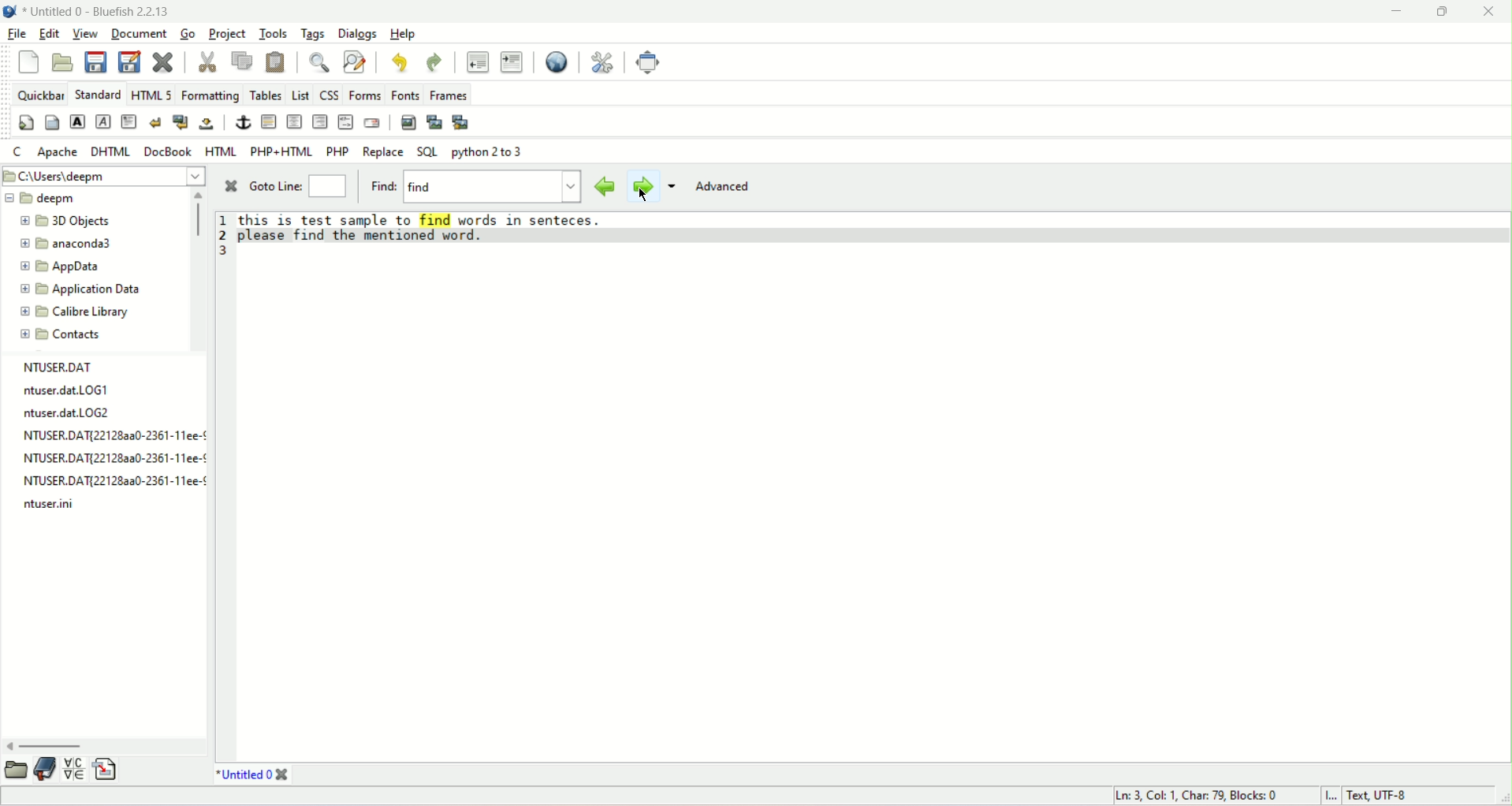 This screenshot has height=806, width=1512. I want to click on edit, so click(51, 32).